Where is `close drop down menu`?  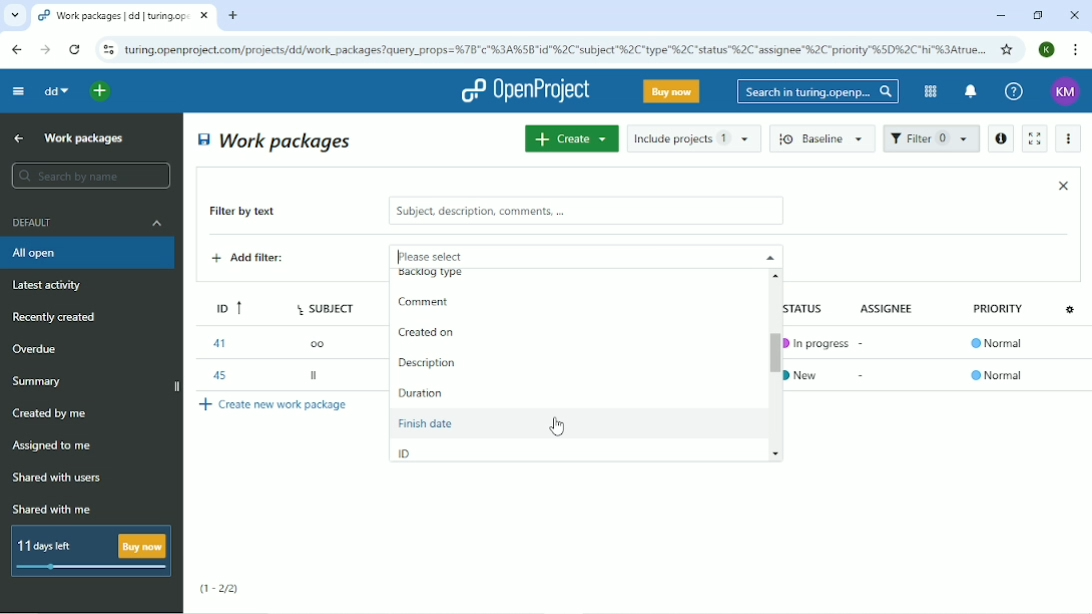
close drop down menu is located at coordinates (768, 256).